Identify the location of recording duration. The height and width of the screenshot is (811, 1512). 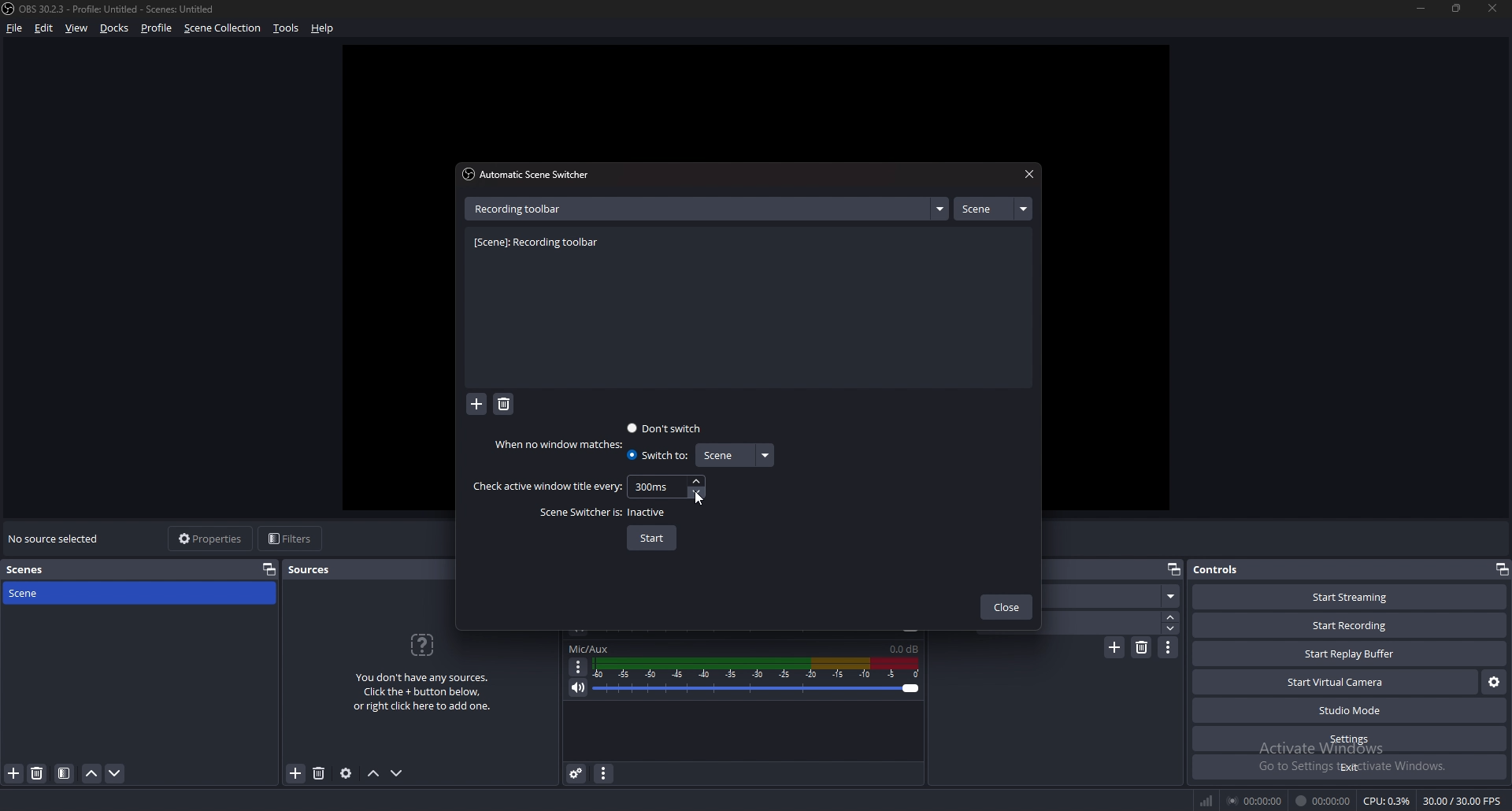
(1324, 801).